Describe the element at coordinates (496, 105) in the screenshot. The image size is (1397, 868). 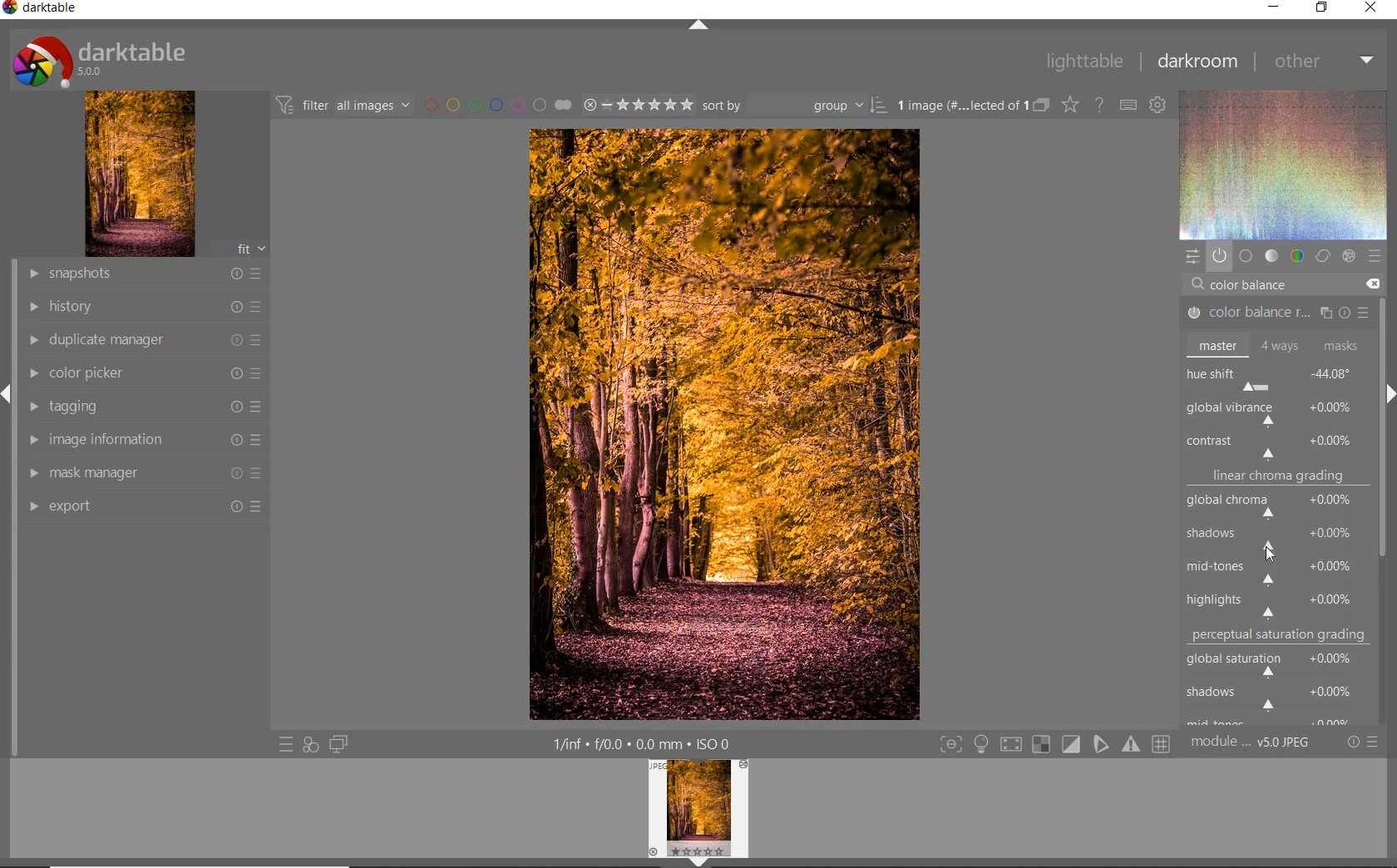
I see `filter by image color label` at that location.